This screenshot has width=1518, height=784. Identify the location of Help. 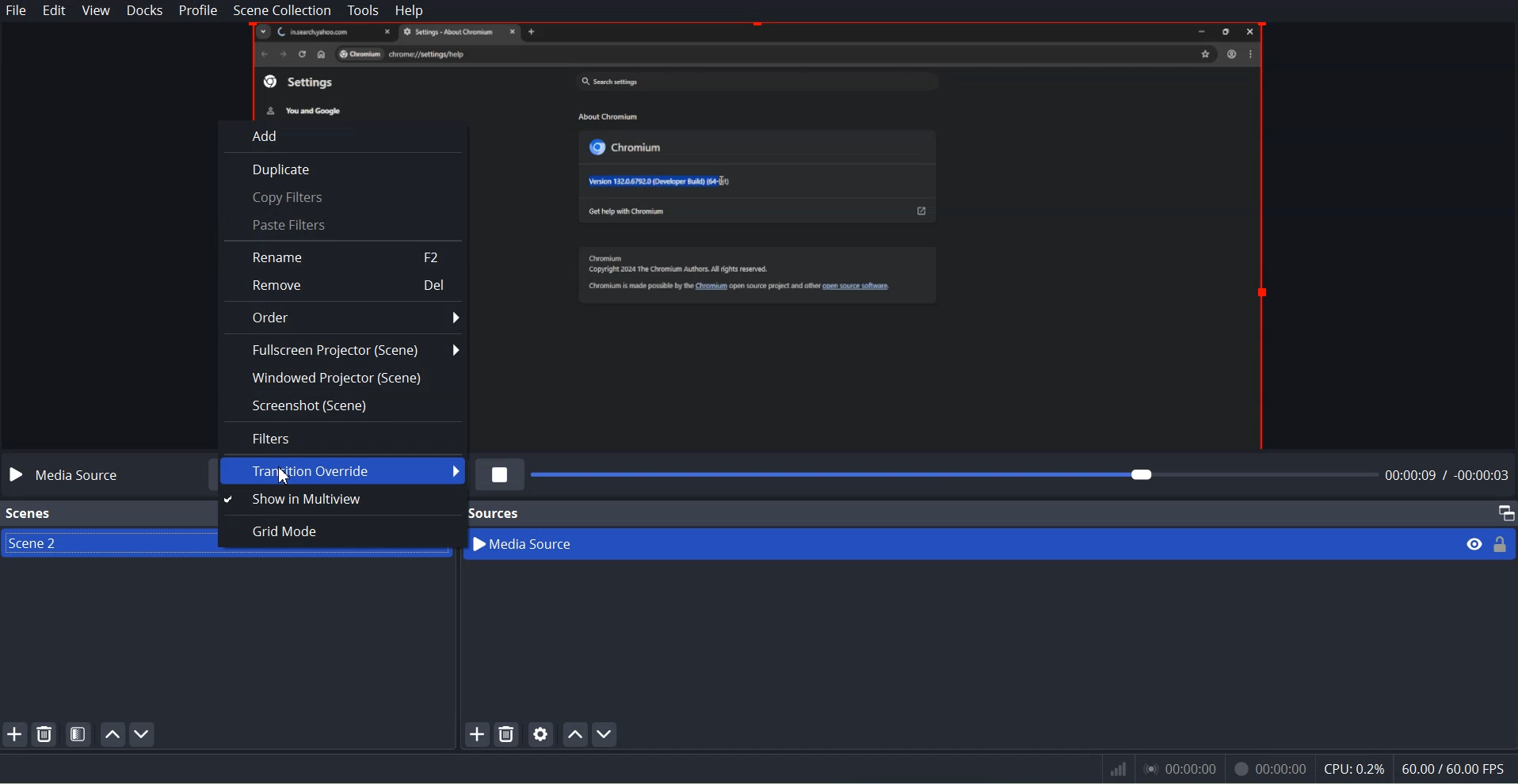
(409, 10).